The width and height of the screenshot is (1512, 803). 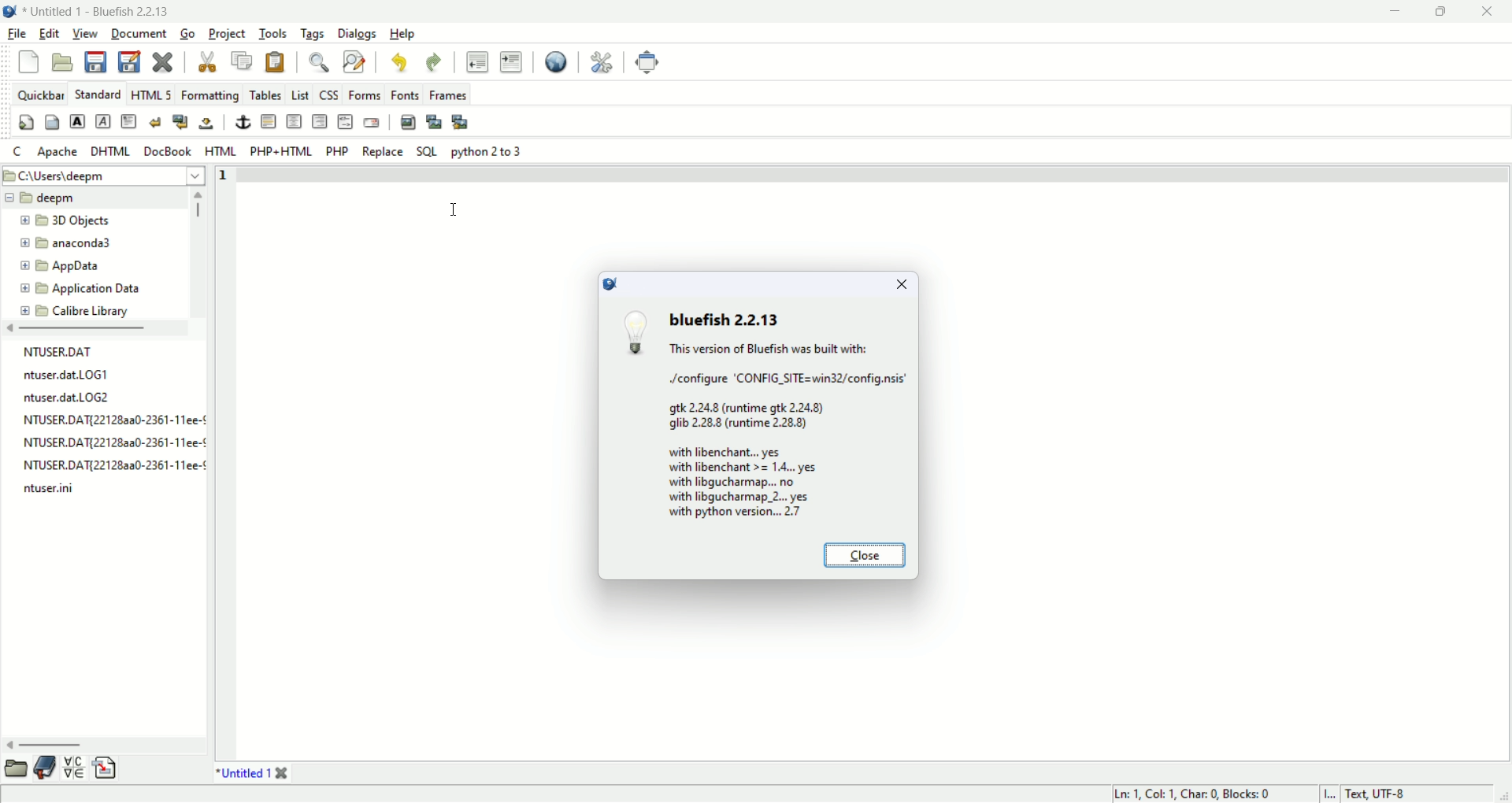 I want to click on insert image, so click(x=409, y=123).